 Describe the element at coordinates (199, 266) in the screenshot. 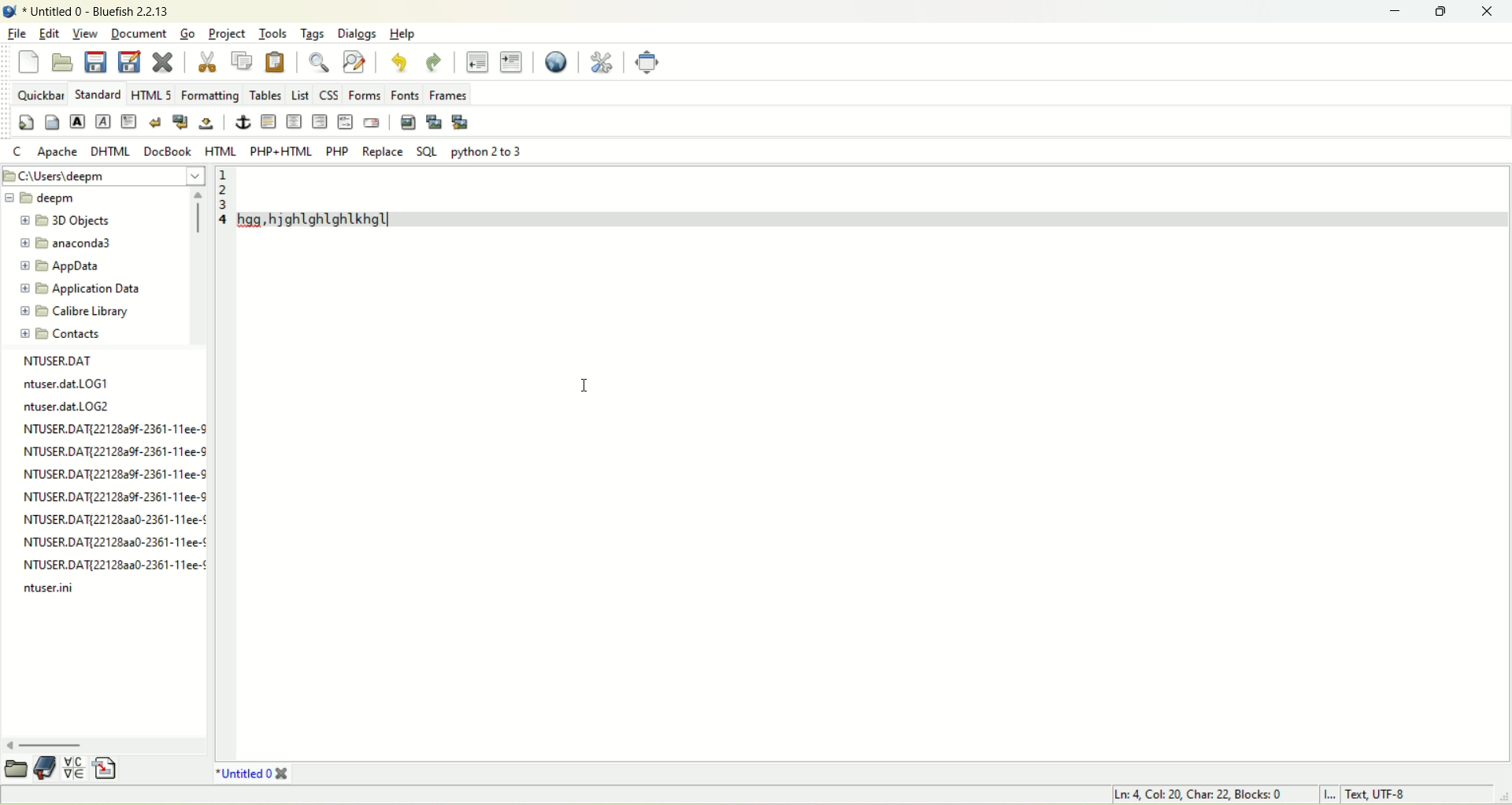

I see `scroll bar` at that location.